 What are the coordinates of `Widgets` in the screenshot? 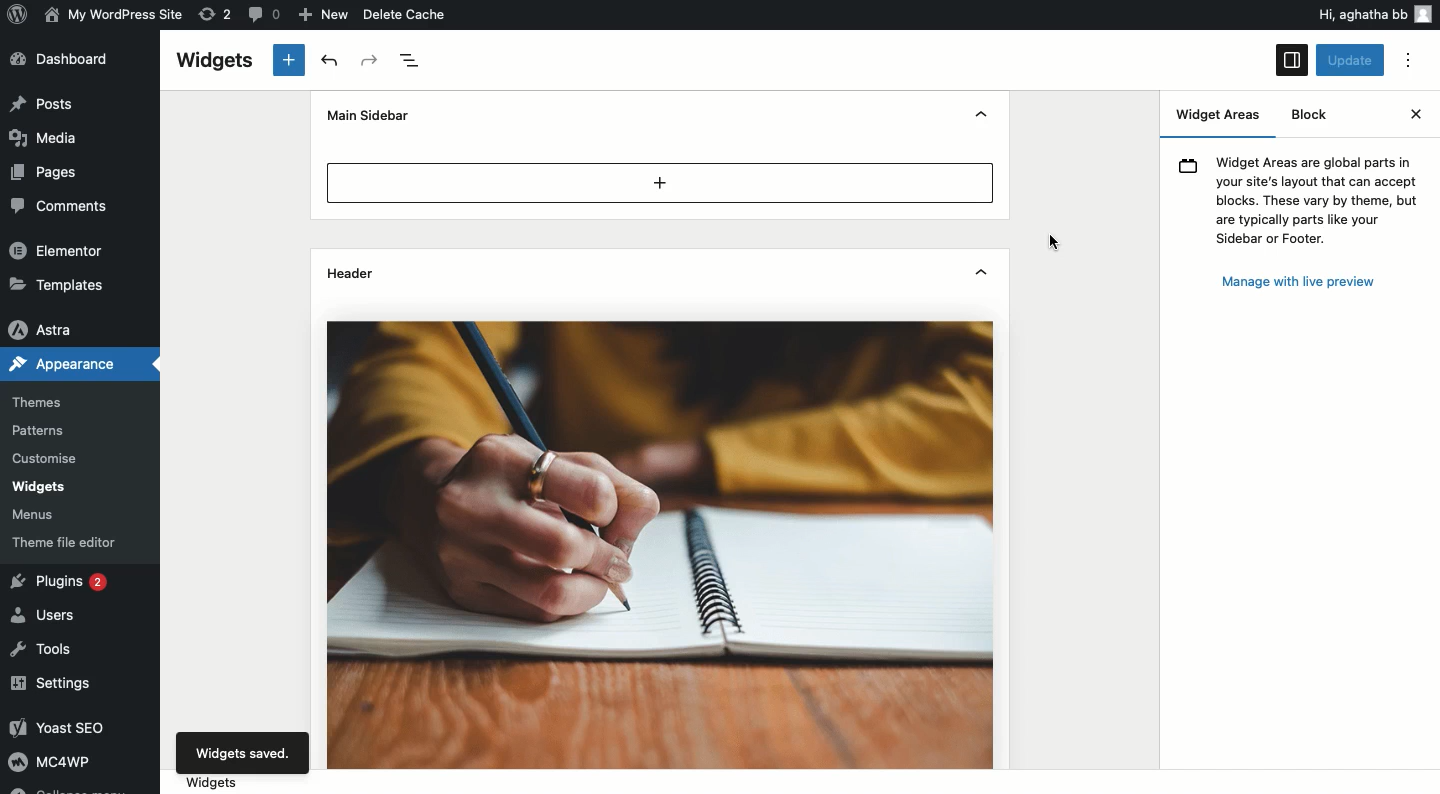 It's located at (211, 780).